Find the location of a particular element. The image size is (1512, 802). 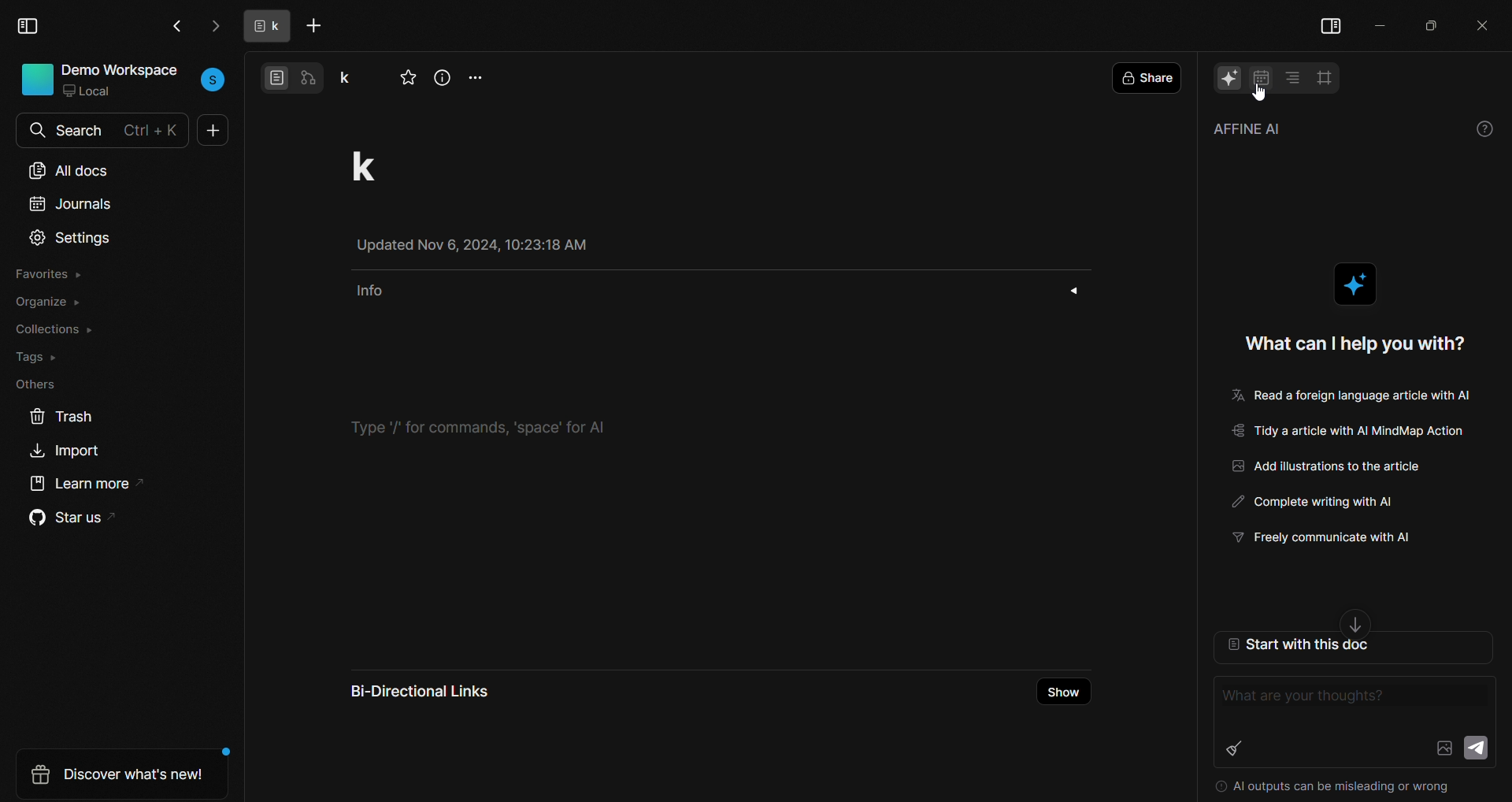

send is located at coordinates (1479, 748).